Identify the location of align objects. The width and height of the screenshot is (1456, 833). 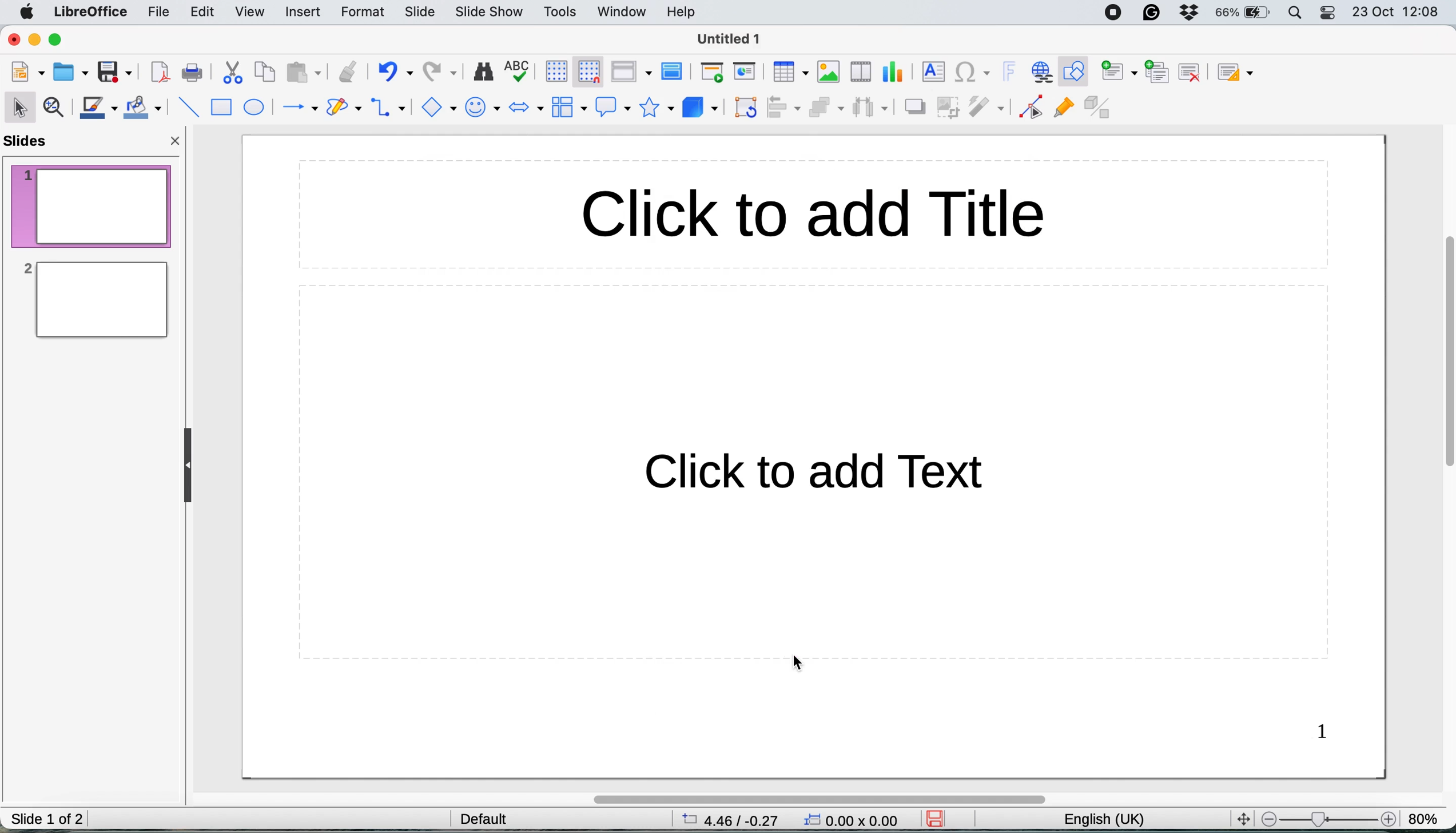
(785, 108).